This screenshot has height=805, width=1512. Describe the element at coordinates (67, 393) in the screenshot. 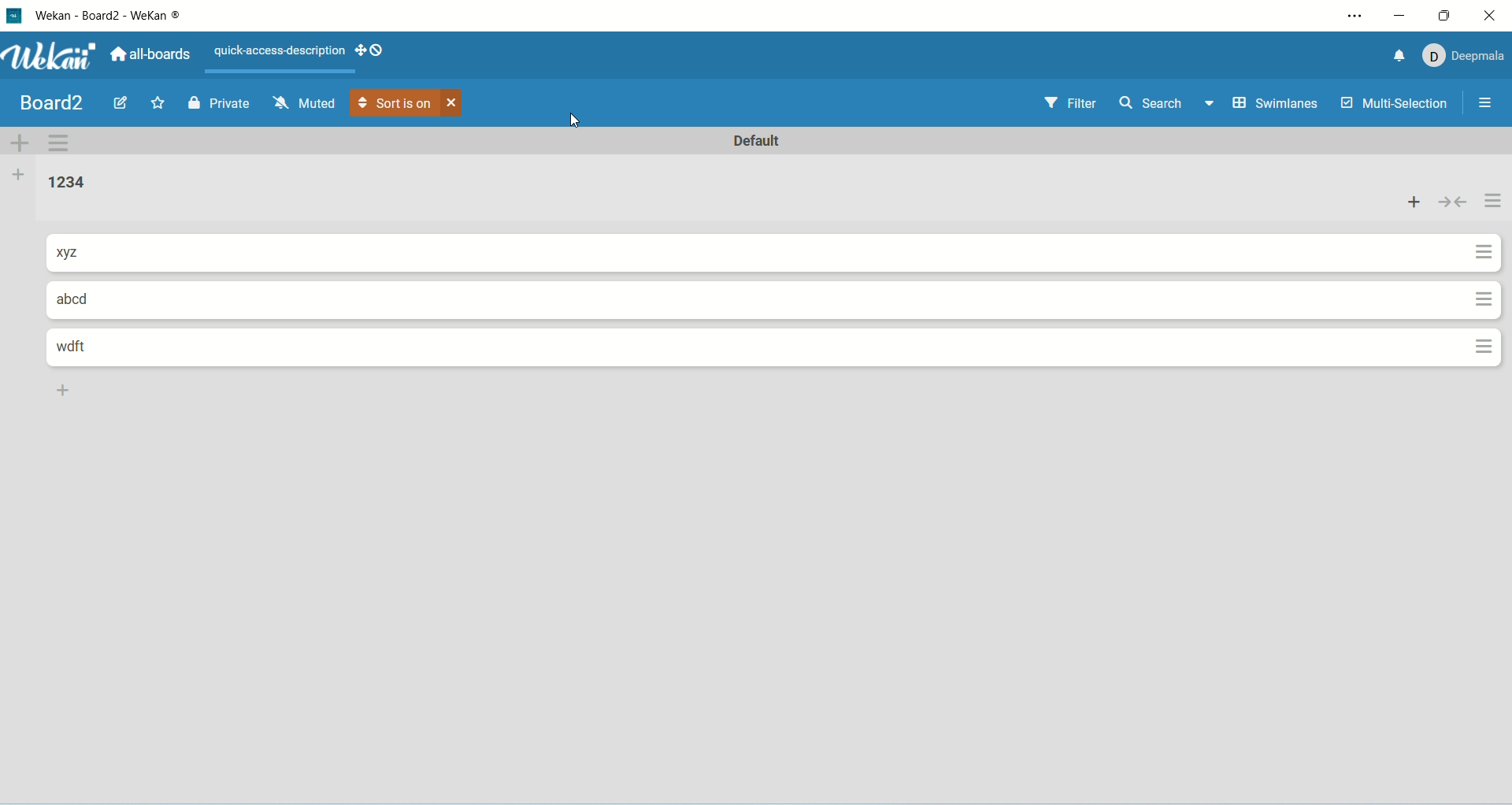

I see `add list` at that location.